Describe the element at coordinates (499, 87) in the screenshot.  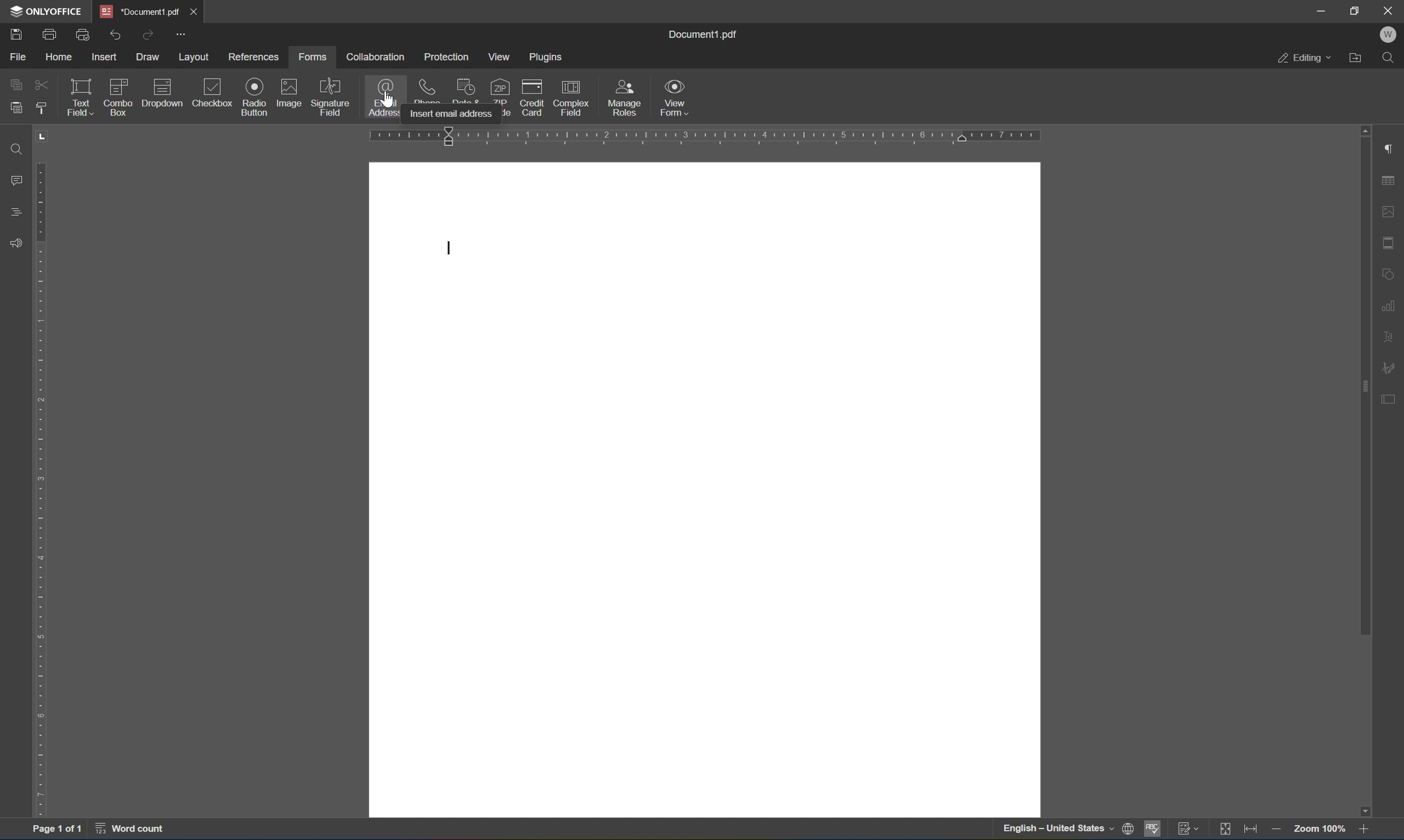
I see `zip code` at that location.